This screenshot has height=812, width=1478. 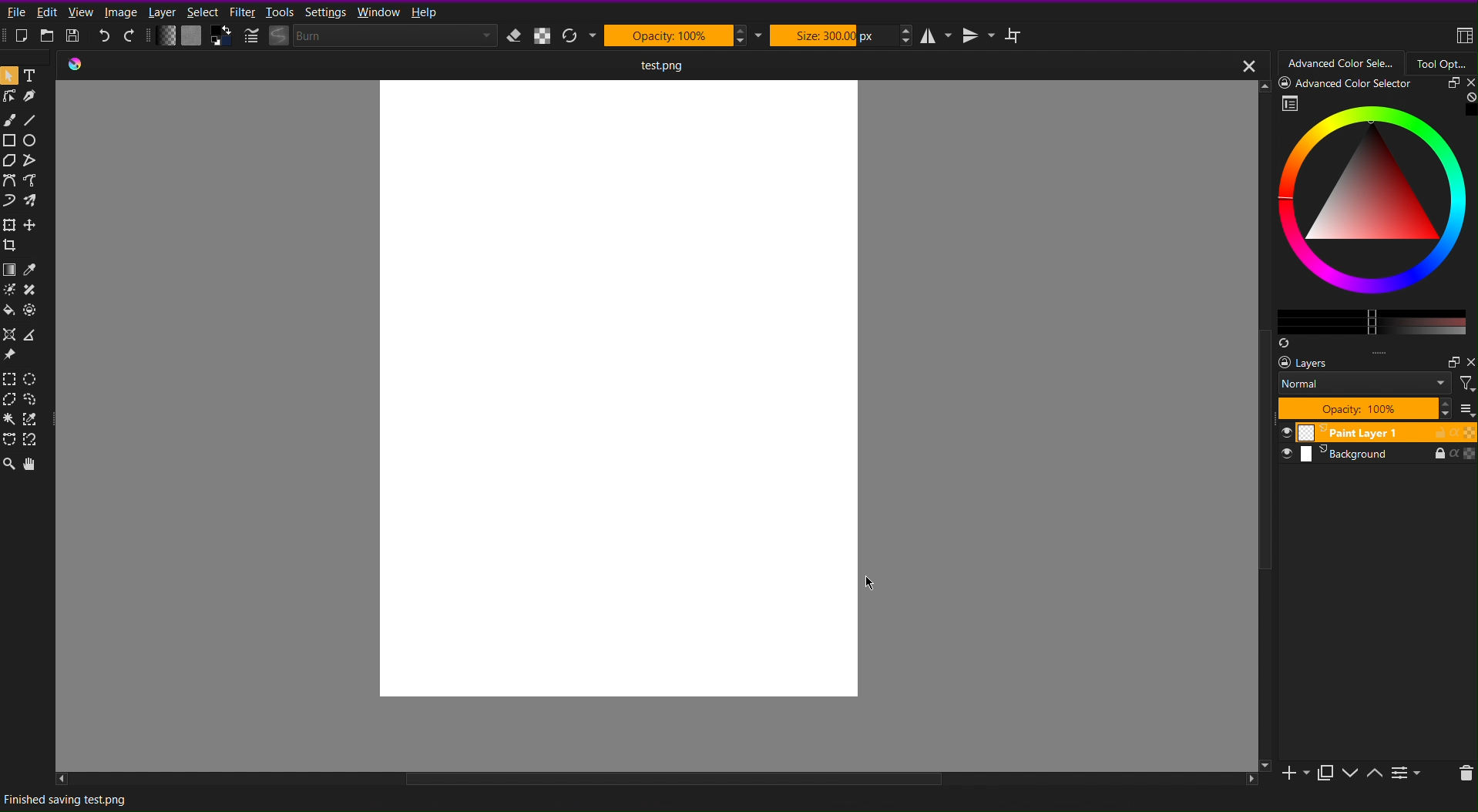 I want to click on Alpha, so click(x=542, y=35).